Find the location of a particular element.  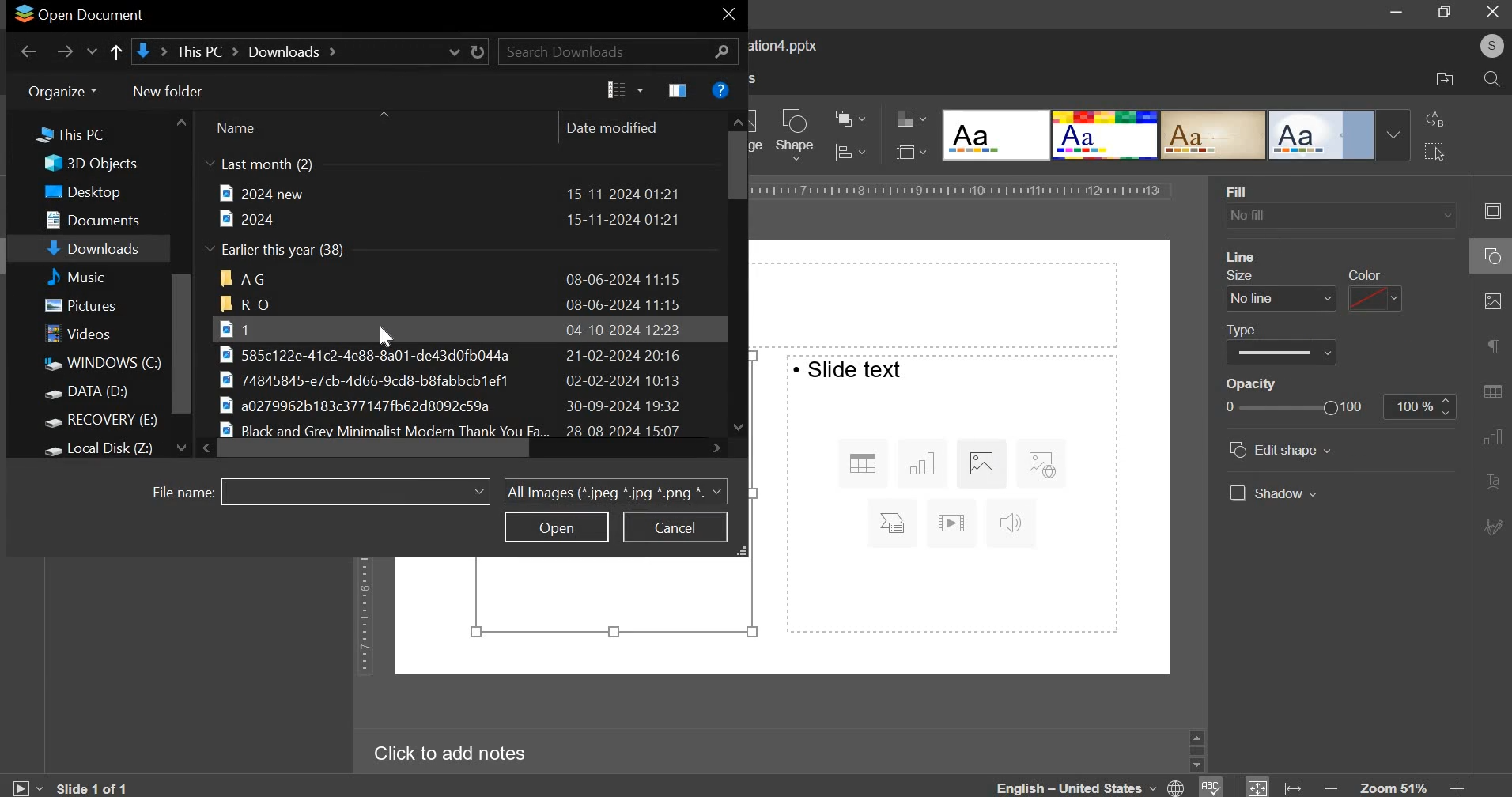

change color theme is located at coordinates (905, 119).